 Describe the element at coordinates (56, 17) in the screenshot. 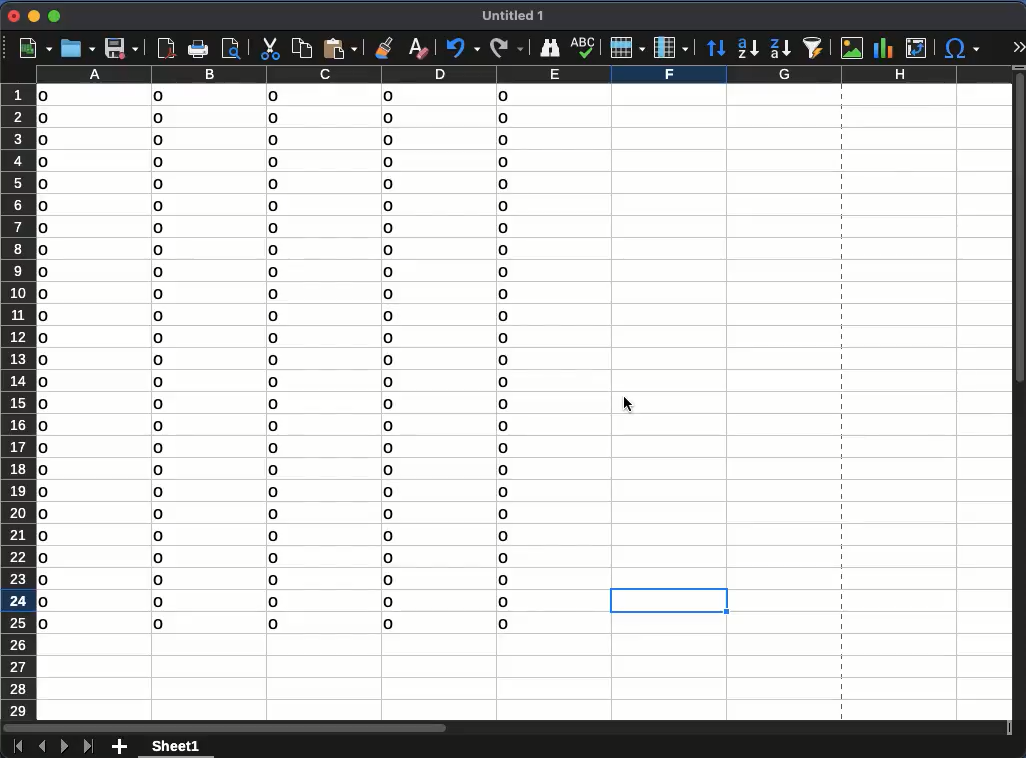

I see `maximize` at that location.